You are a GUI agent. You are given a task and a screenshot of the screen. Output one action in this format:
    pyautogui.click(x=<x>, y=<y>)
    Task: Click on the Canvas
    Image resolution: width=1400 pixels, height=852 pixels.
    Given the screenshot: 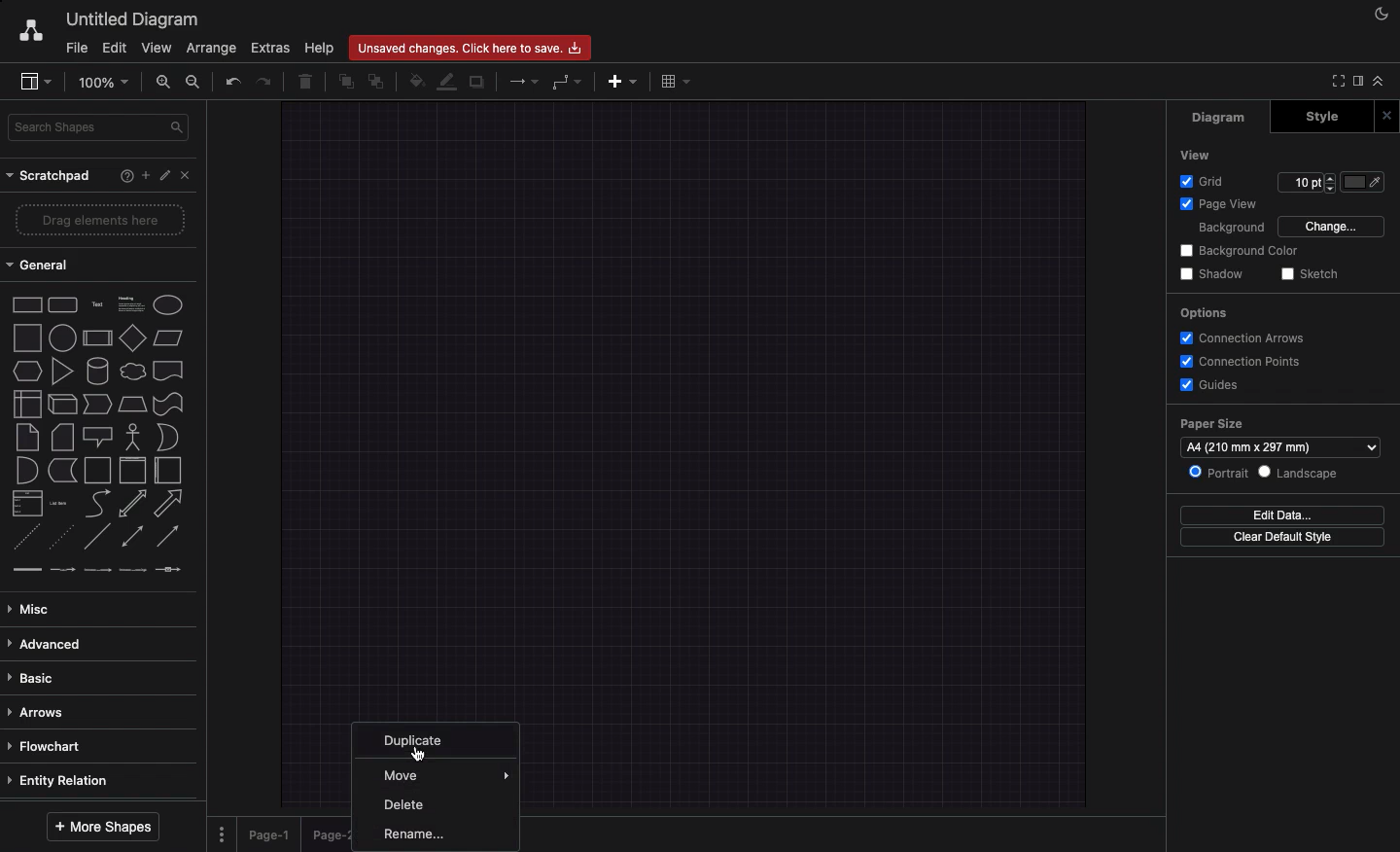 What is the action you would take?
    pyautogui.click(x=685, y=402)
    